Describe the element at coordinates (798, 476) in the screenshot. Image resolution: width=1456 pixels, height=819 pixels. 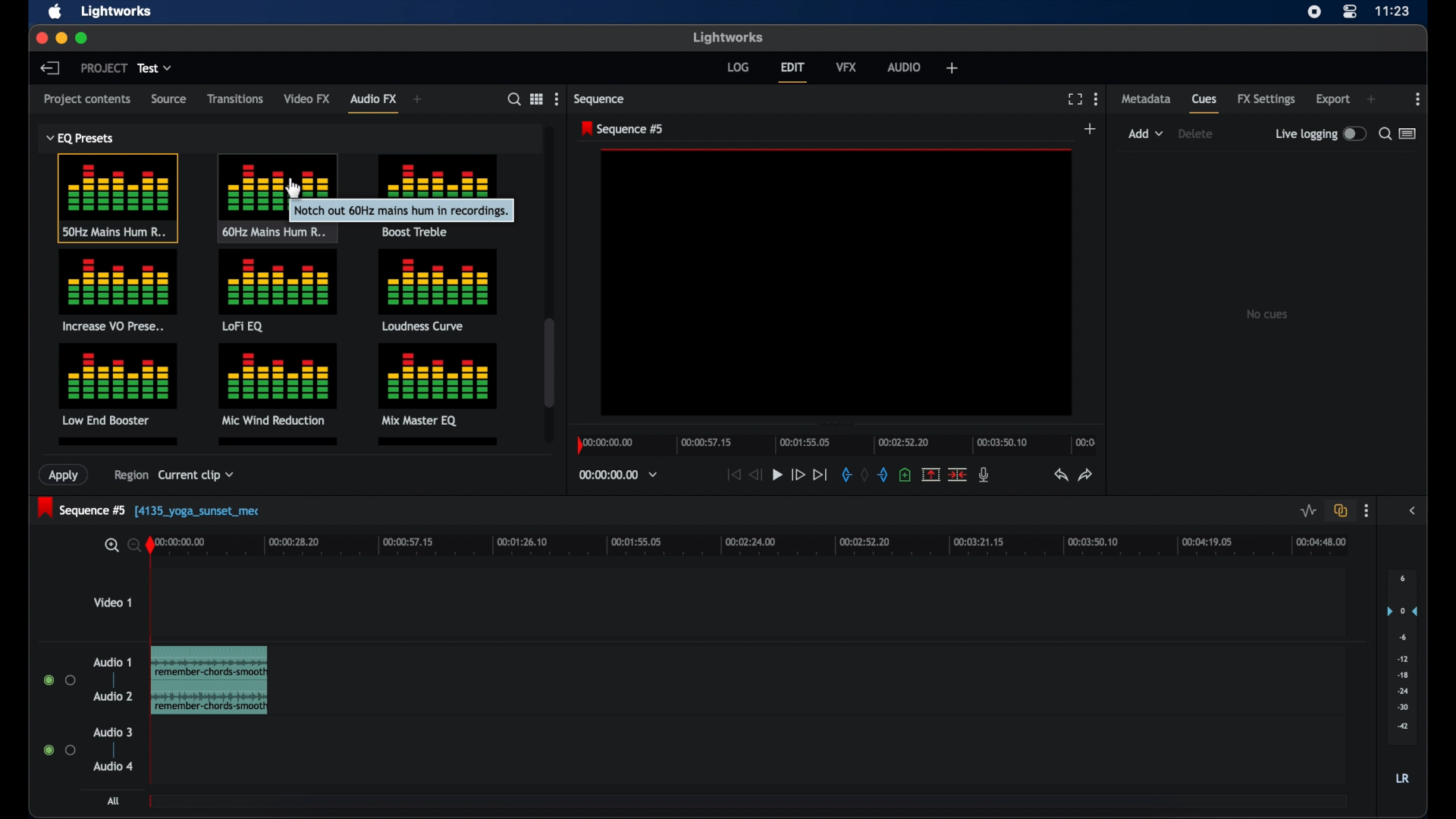
I see `fast forward` at that location.